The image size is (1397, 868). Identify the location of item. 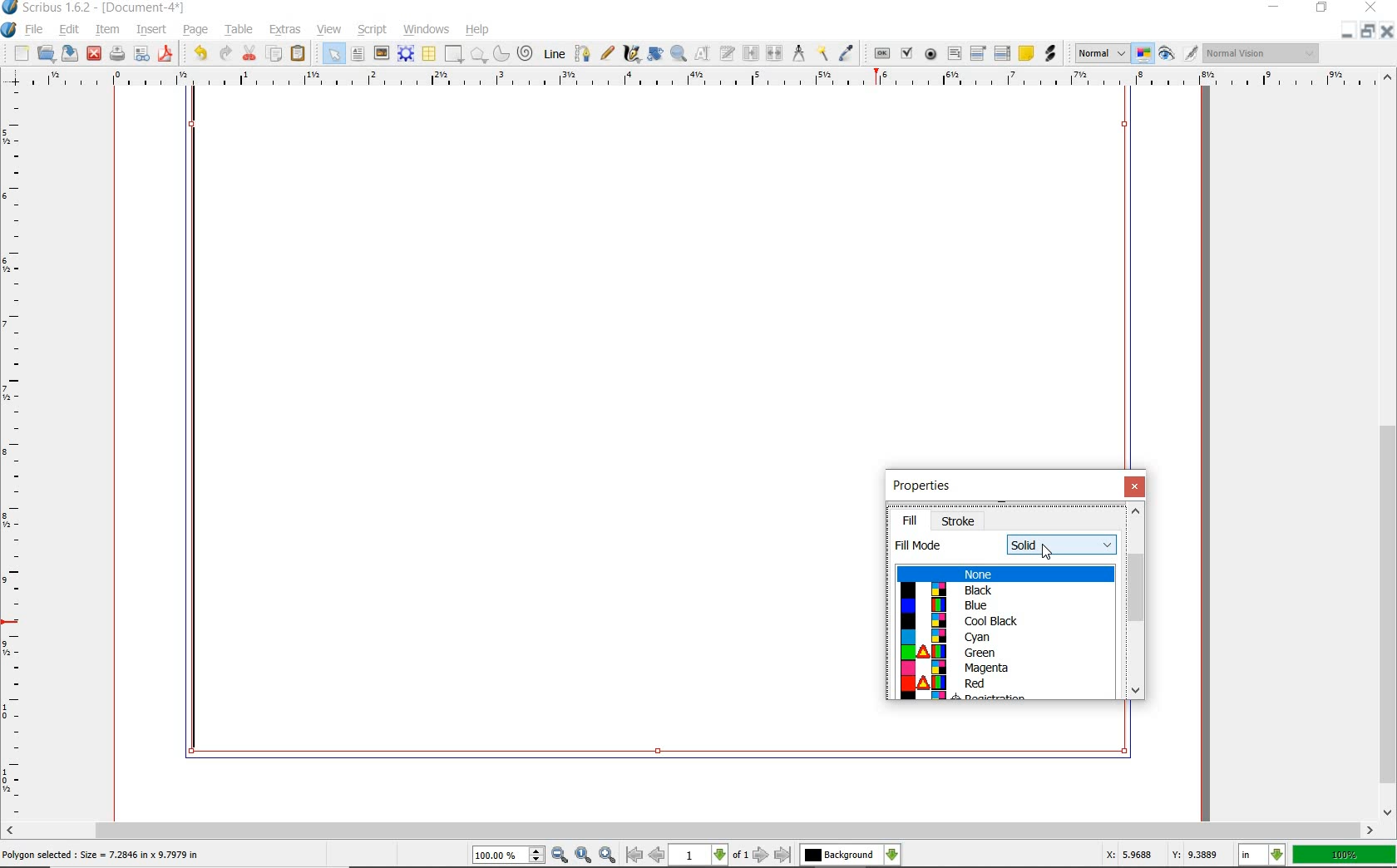
(106, 29).